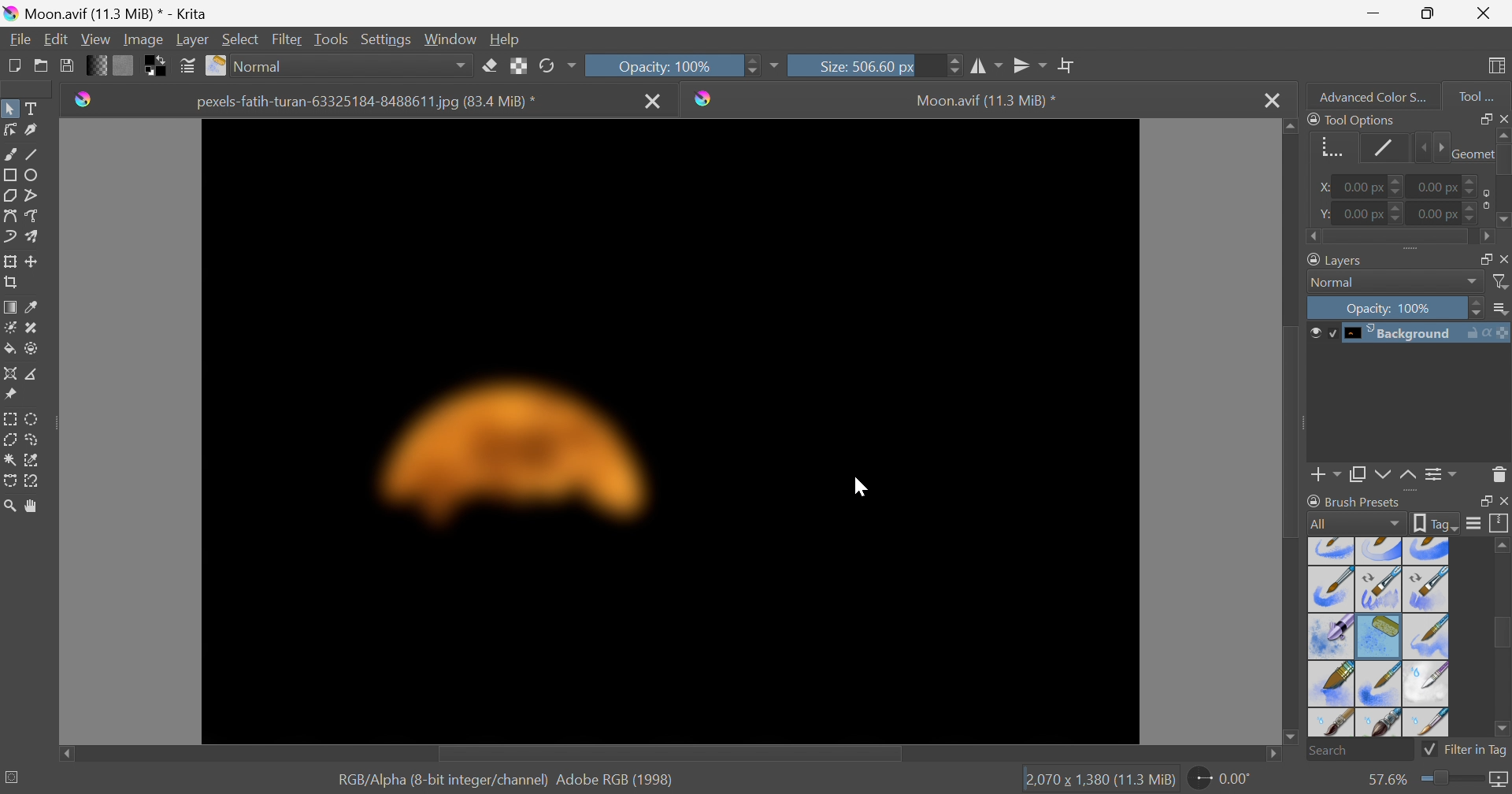  I want to click on Dynamic brush tool, so click(11, 239).